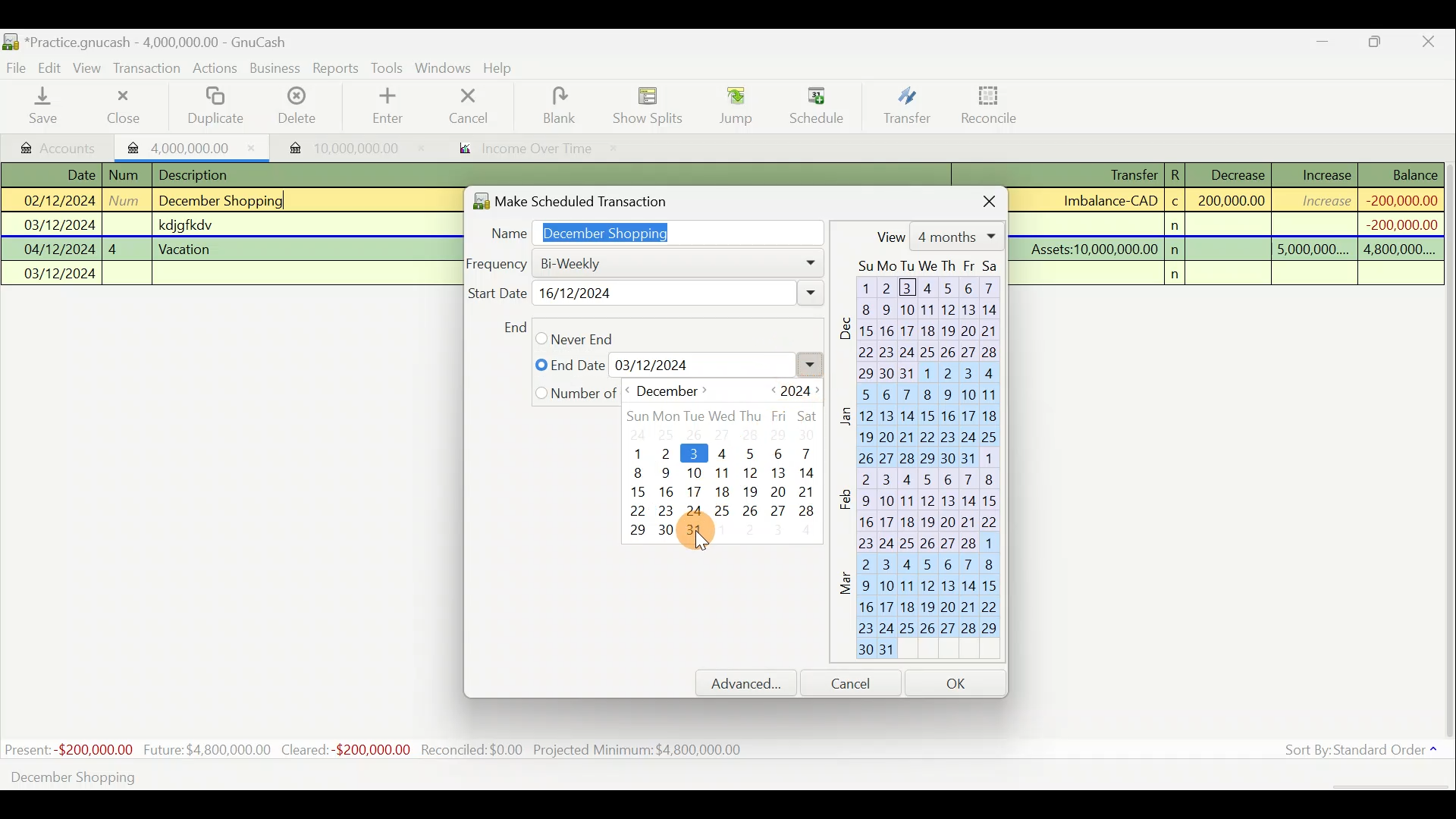 The height and width of the screenshot is (819, 1456). What do you see at coordinates (276, 69) in the screenshot?
I see `Business` at bounding box center [276, 69].